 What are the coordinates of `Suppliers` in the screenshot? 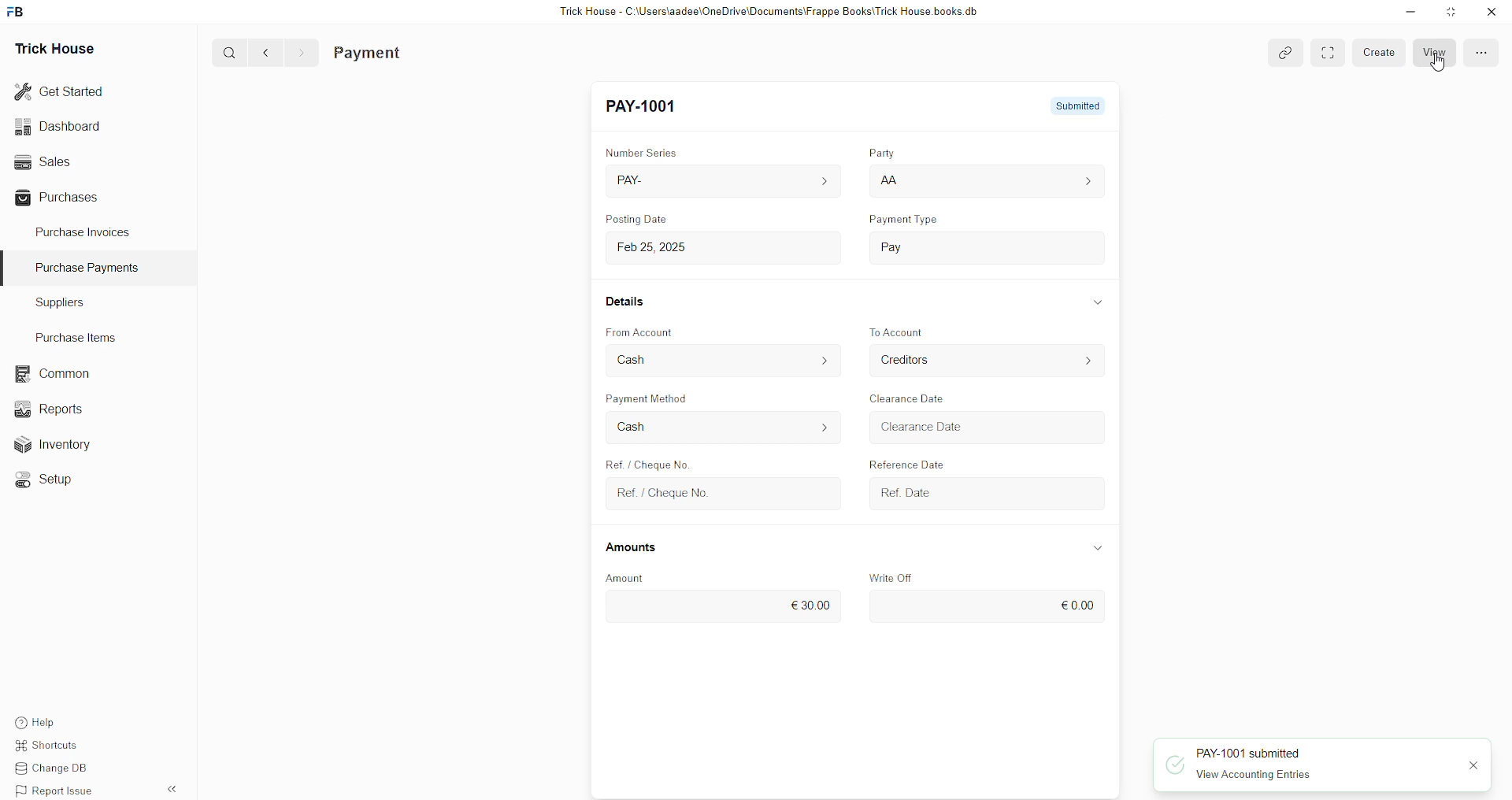 It's located at (54, 302).